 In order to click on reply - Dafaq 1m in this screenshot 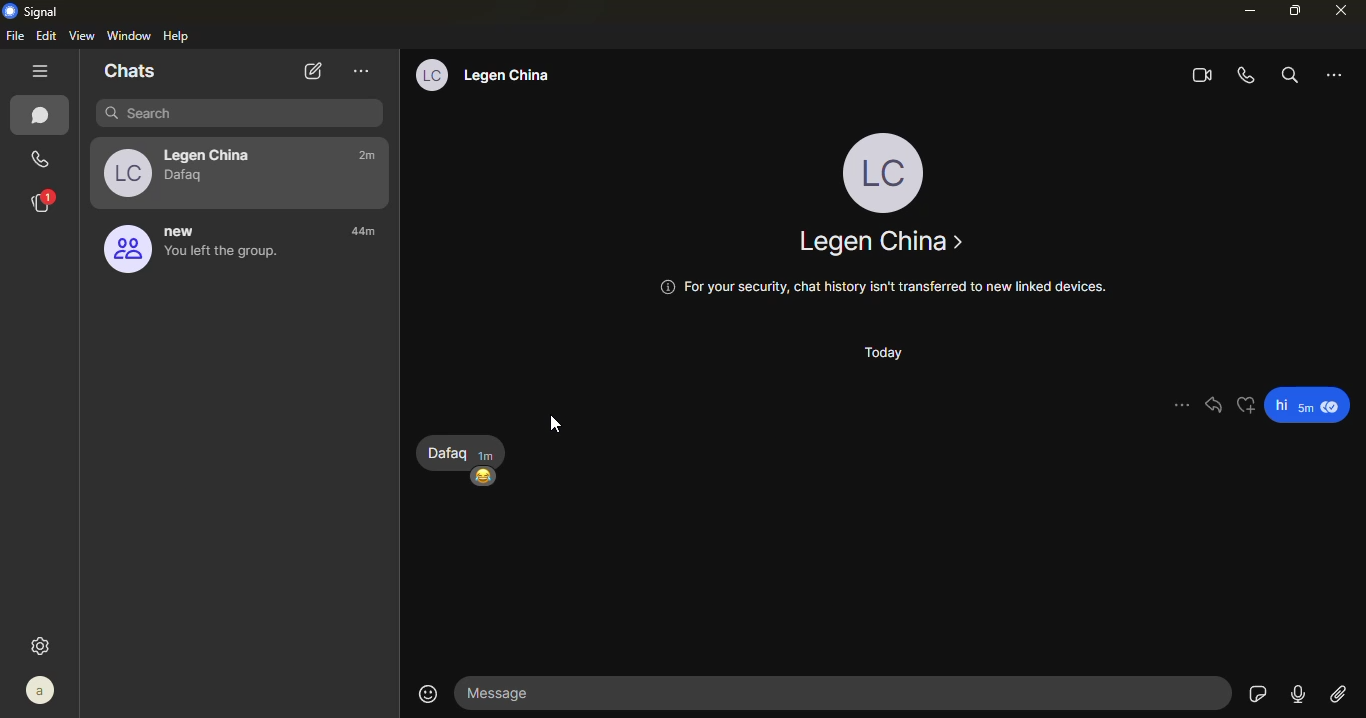, I will do `click(463, 450)`.